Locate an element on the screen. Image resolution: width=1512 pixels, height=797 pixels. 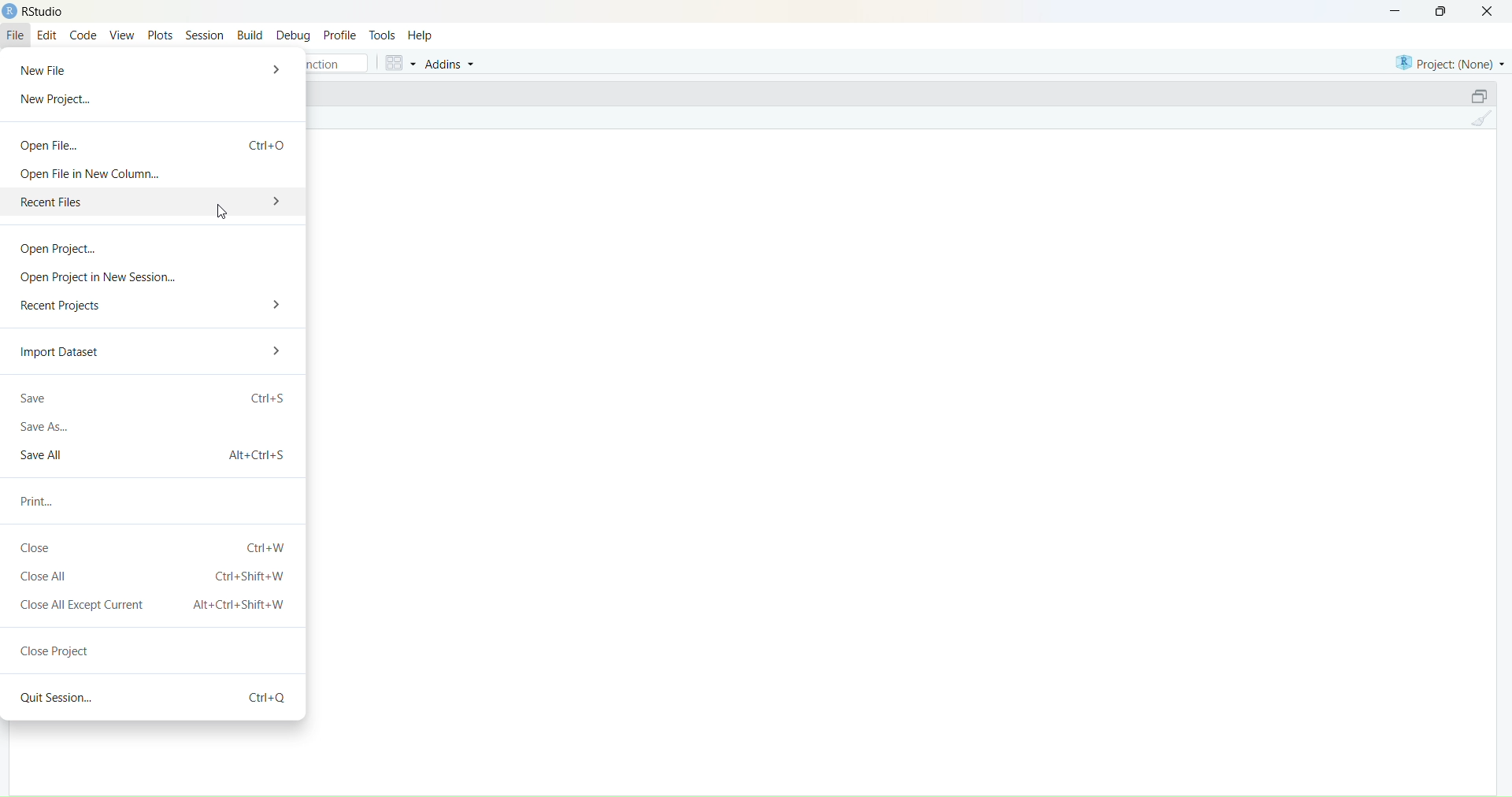
New File is located at coordinates (52, 69).